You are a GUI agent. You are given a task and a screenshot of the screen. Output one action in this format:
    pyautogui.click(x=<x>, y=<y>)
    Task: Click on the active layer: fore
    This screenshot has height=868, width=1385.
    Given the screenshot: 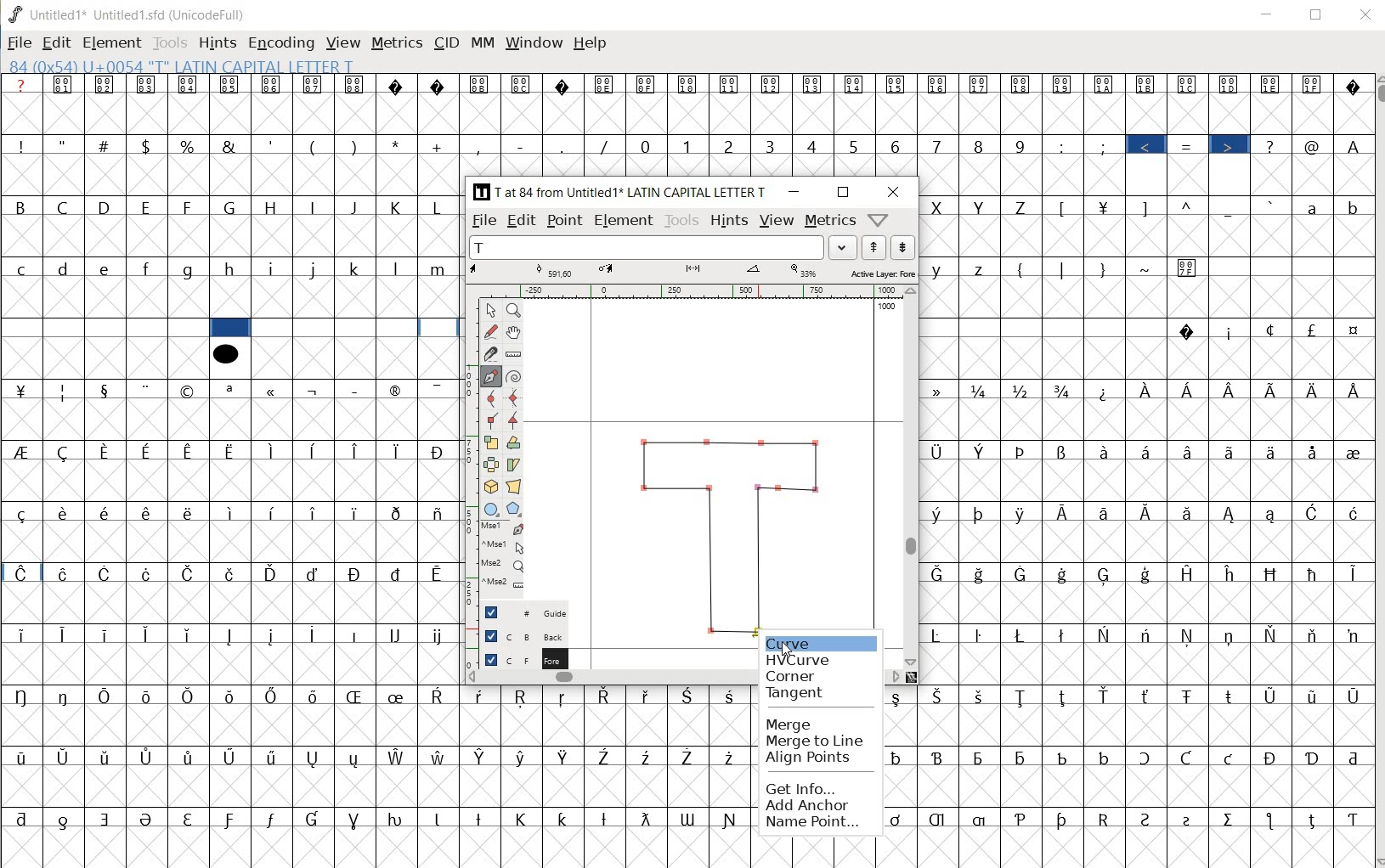 What is the action you would take?
    pyautogui.click(x=694, y=272)
    